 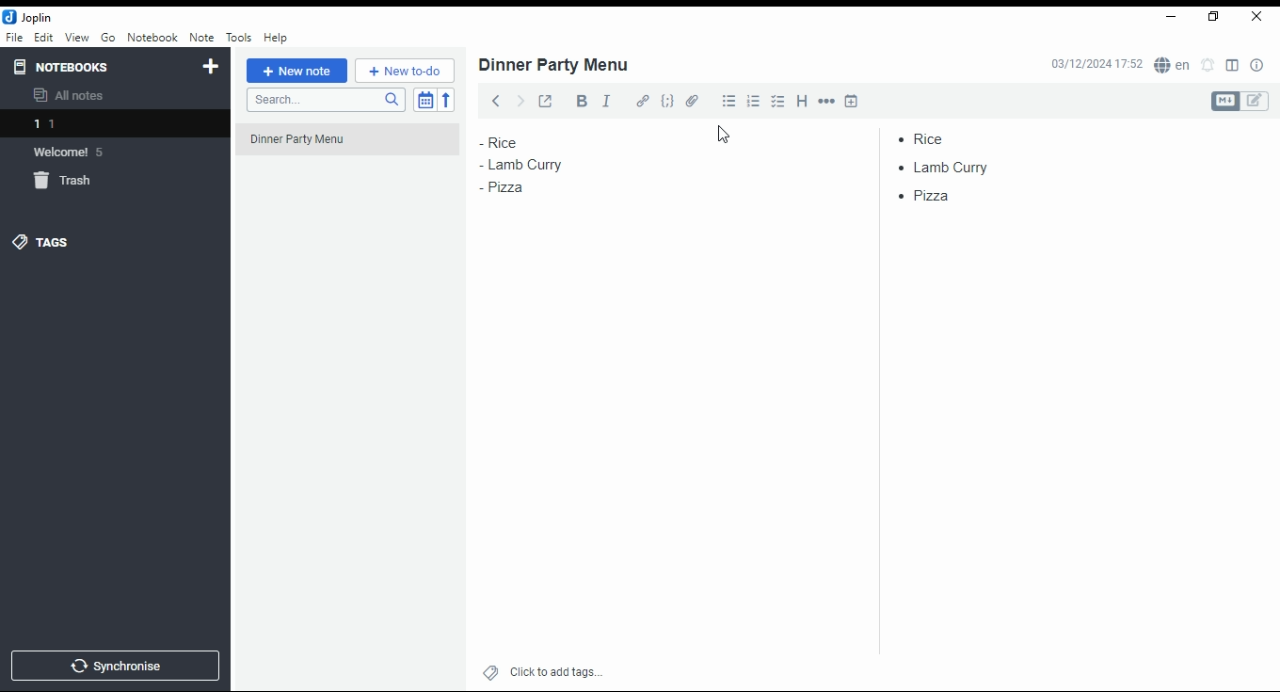 What do you see at coordinates (1170, 17) in the screenshot?
I see `minimize` at bounding box center [1170, 17].